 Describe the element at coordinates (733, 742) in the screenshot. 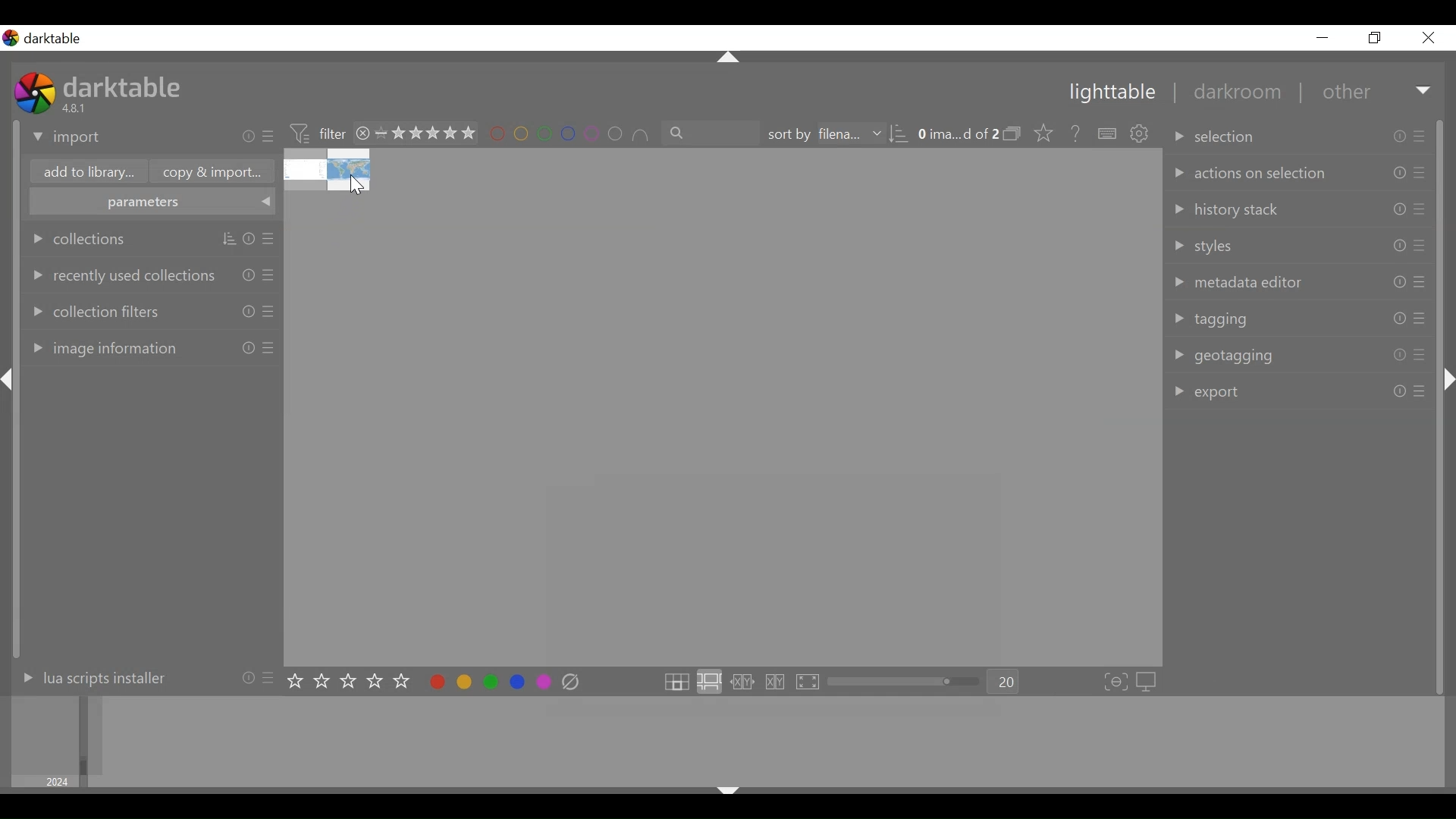

I see `image collection filter` at that location.